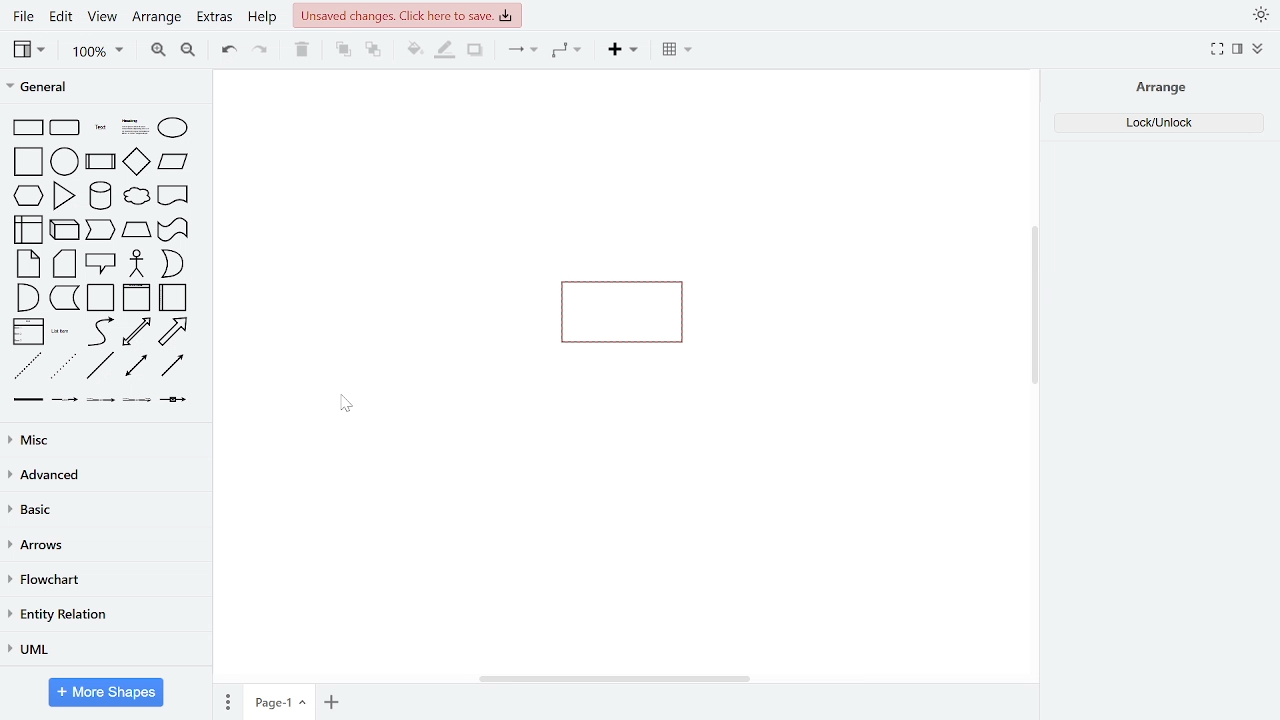 The height and width of the screenshot is (720, 1280). What do you see at coordinates (22, 16) in the screenshot?
I see `file` at bounding box center [22, 16].